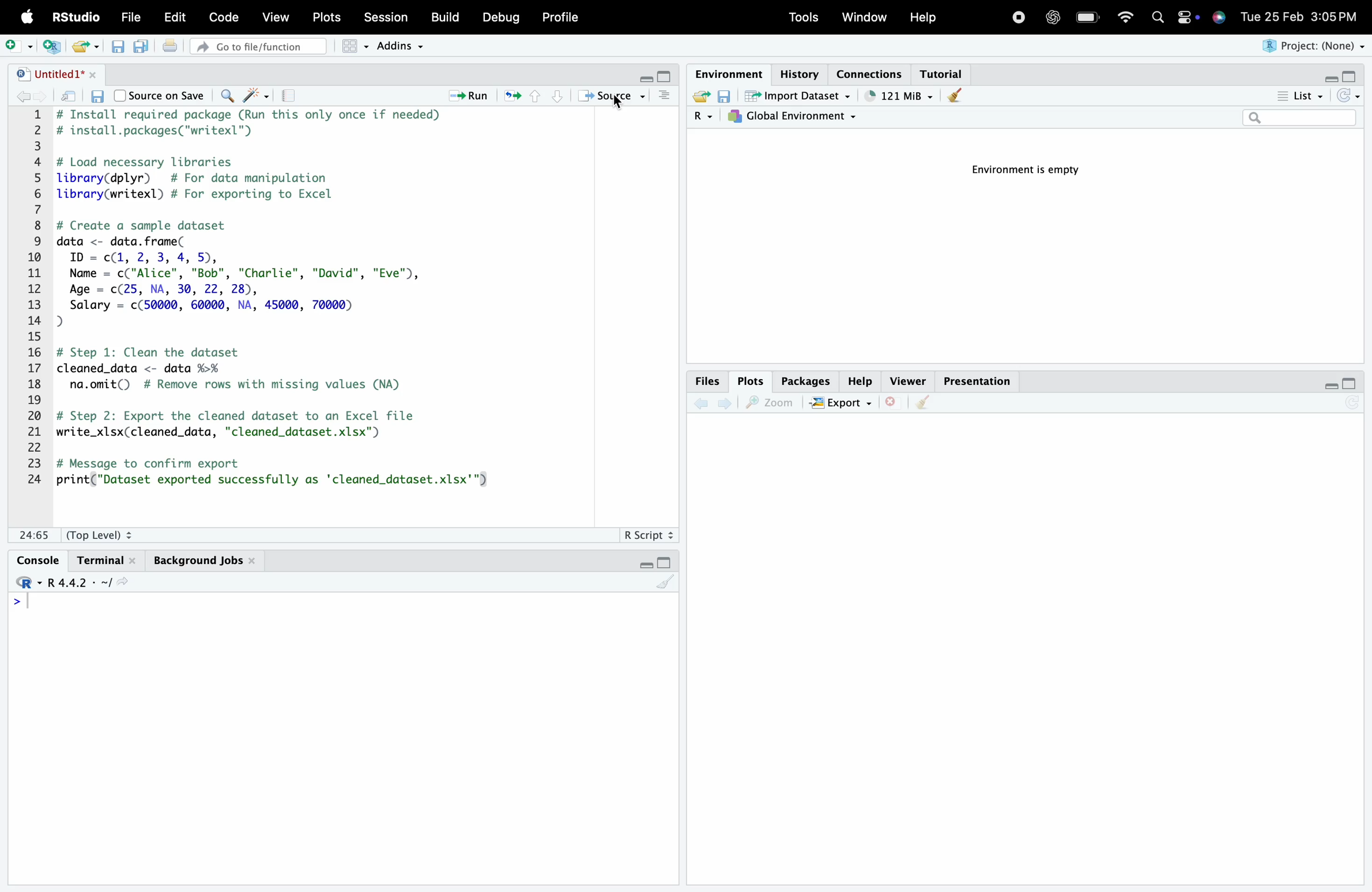  I want to click on # Install required package (Run this only once if needed)
# install.packages("writexl")
# Load necessary libraries
library(dplyr) # For data manipulation
library(writexl) # For exporting to Excel
# Create a sample dataset
data <- data. frame(
ID = c(1, 2, 3, 4, 5),
Name = c("Alice", "Bob", "Charlie", "David", "Eve"),
Age = c(25, NA, 30, 22, 28),
Salary = c(50000, 60000, NA, 45000, 70000)
D)
# Step 1: Clean the dataset
cleaned_data <- data %>%
na.omit() # Remove rows with missing values (NA)
# Step 2: Export the cleaned dataset to an Excel file
write_xlsx(cleaned_data, "cleaned_dataset.xlsx")
# Message to confirm export
print("Dataset exported successfully as 'cleaned_dataset.xlsx'"), so click(280, 307).